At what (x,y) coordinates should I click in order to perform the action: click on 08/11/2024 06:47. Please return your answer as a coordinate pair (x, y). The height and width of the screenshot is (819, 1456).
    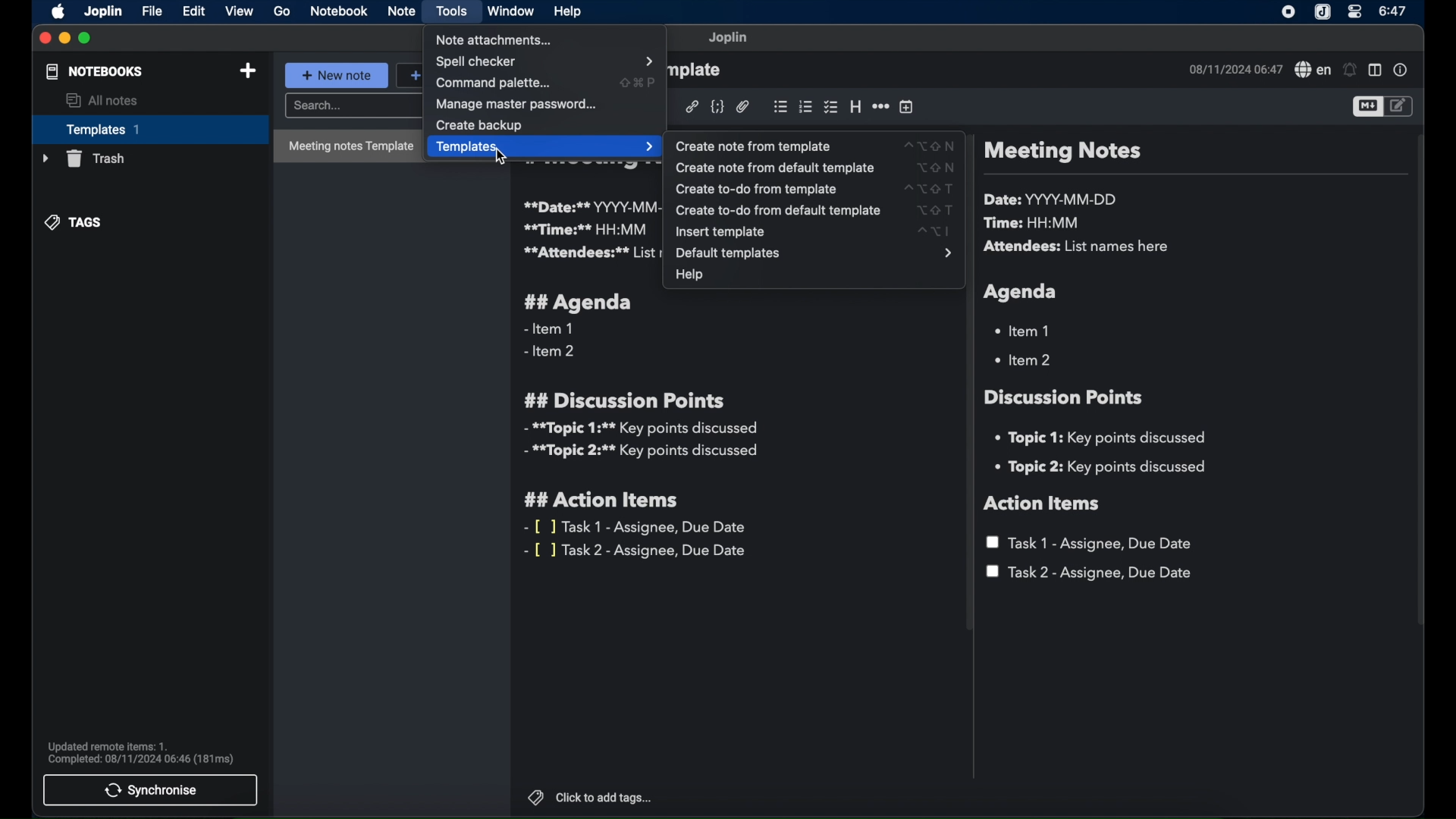
    Looking at the image, I should click on (1234, 69).